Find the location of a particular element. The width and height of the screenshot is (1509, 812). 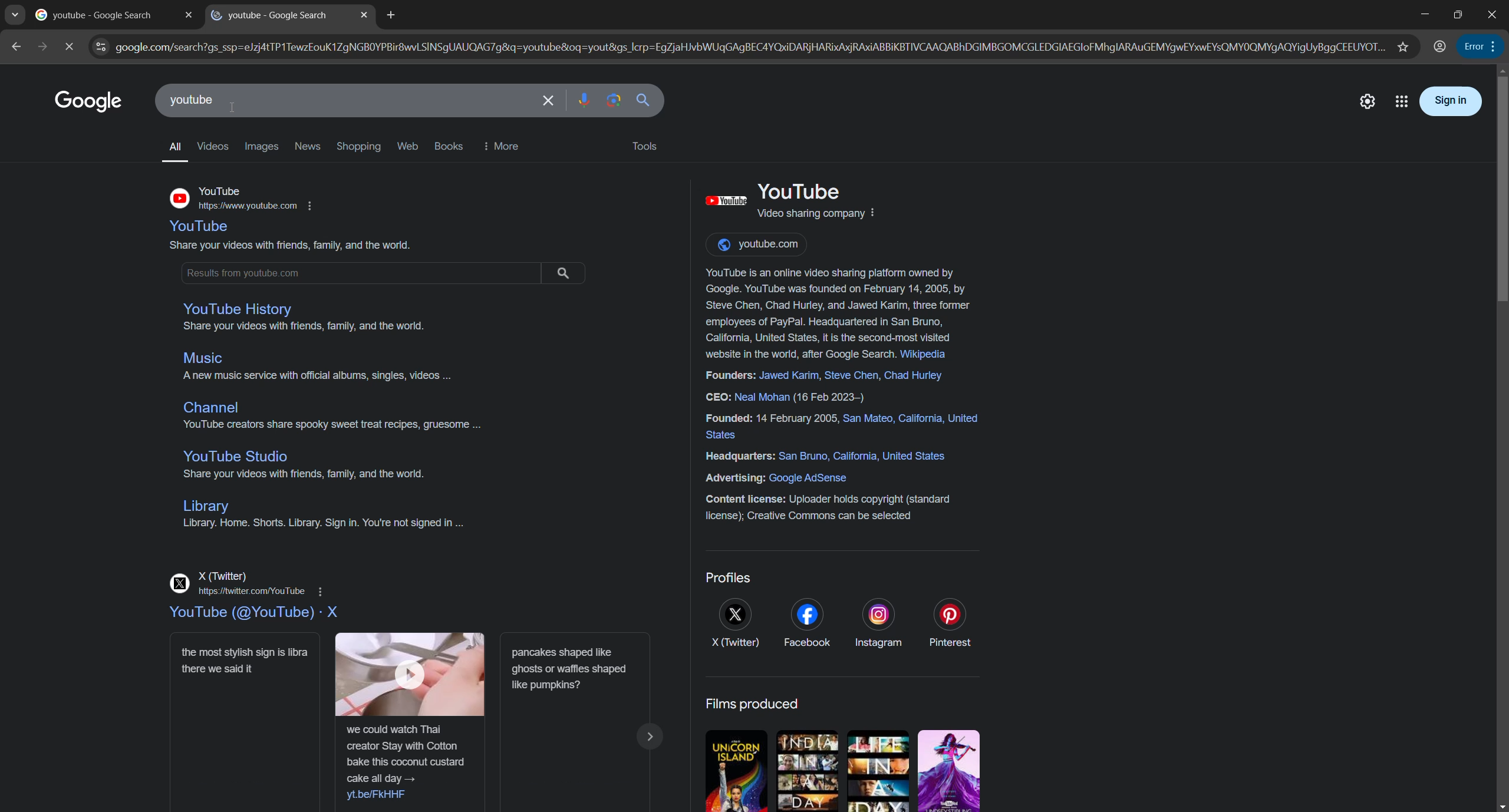

account is located at coordinates (1442, 45).